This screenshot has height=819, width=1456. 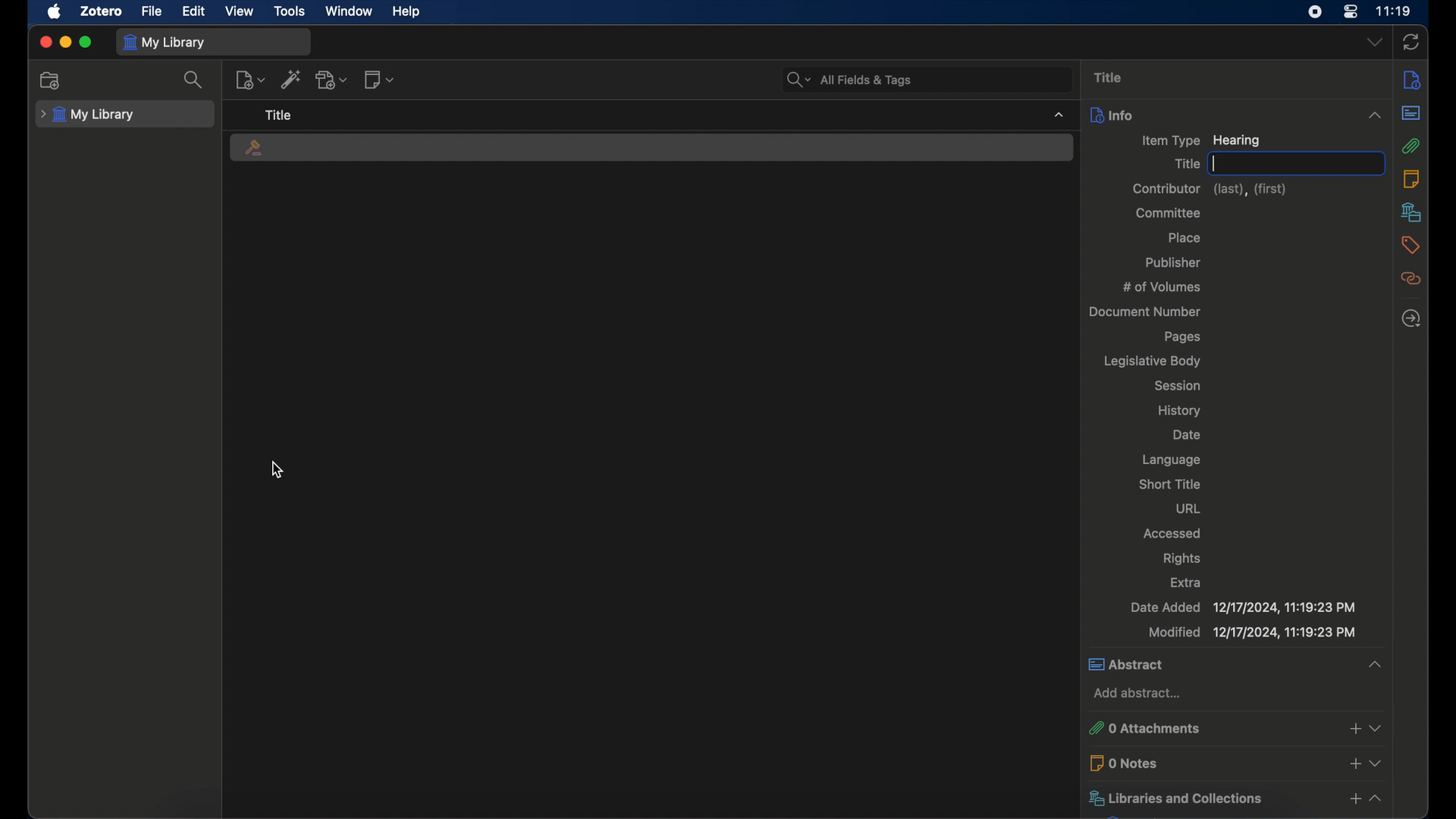 I want to click on date, so click(x=1188, y=436).